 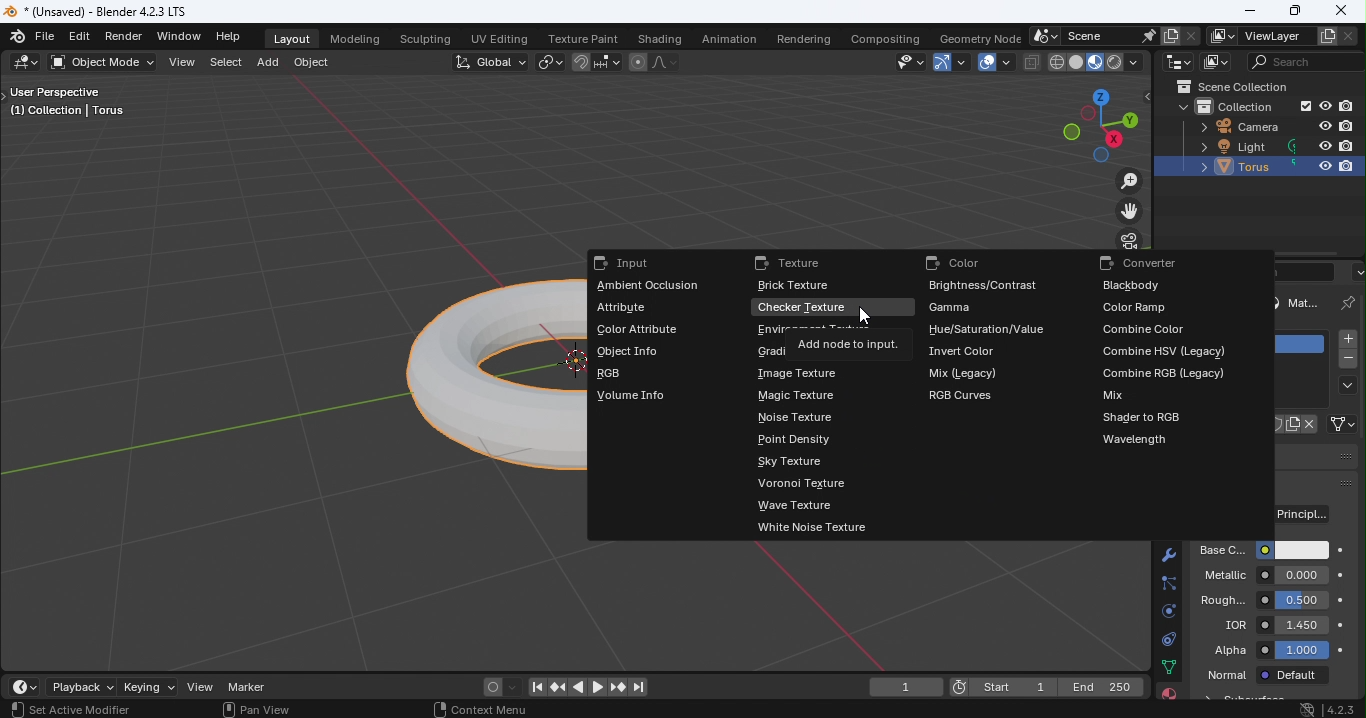 I want to click on Unlink data block, so click(x=1309, y=422).